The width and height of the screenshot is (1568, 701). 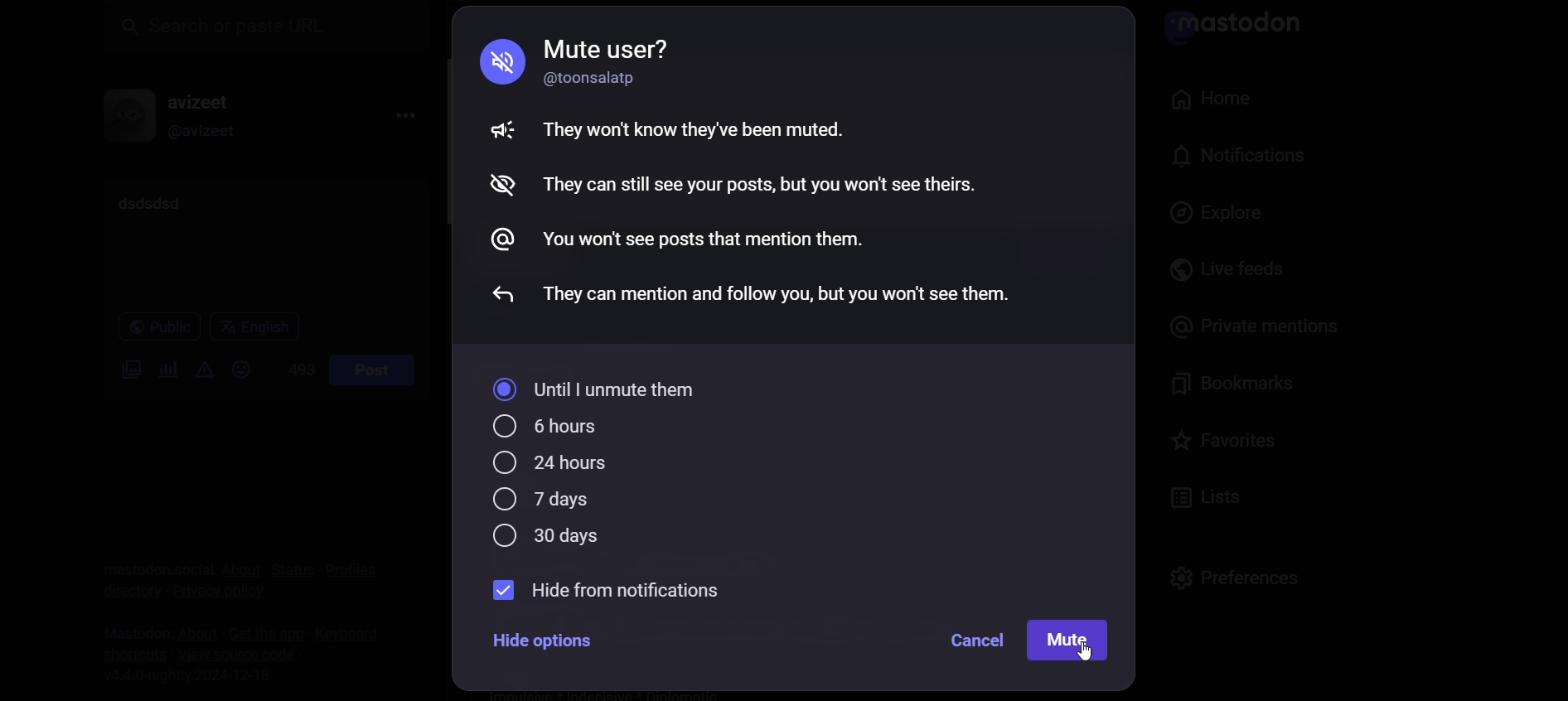 What do you see at coordinates (228, 592) in the screenshot?
I see `privacy policy` at bounding box center [228, 592].